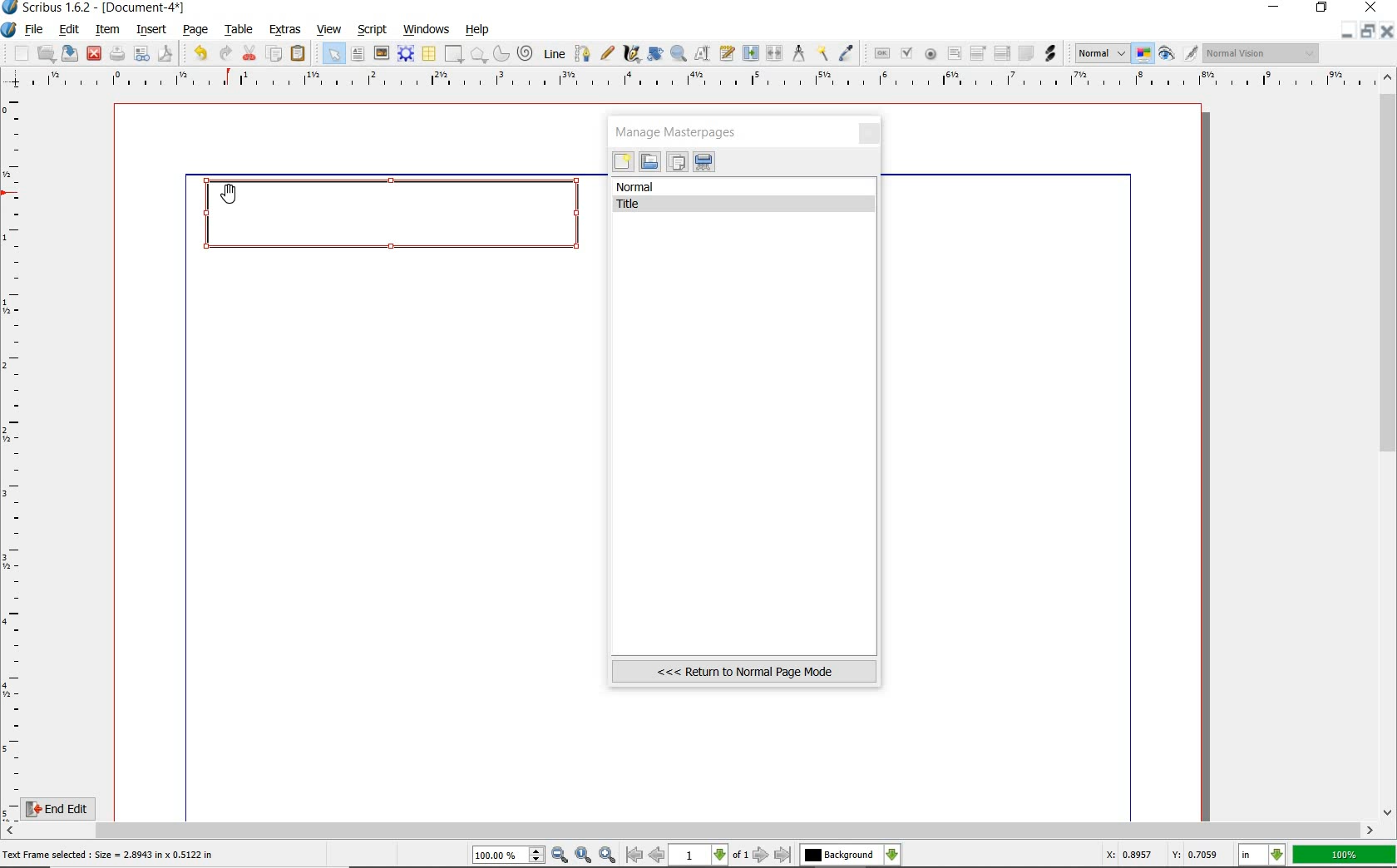 This screenshot has width=1397, height=868. Describe the element at coordinates (229, 193) in the screenshot. I see `Cursor` at that location.